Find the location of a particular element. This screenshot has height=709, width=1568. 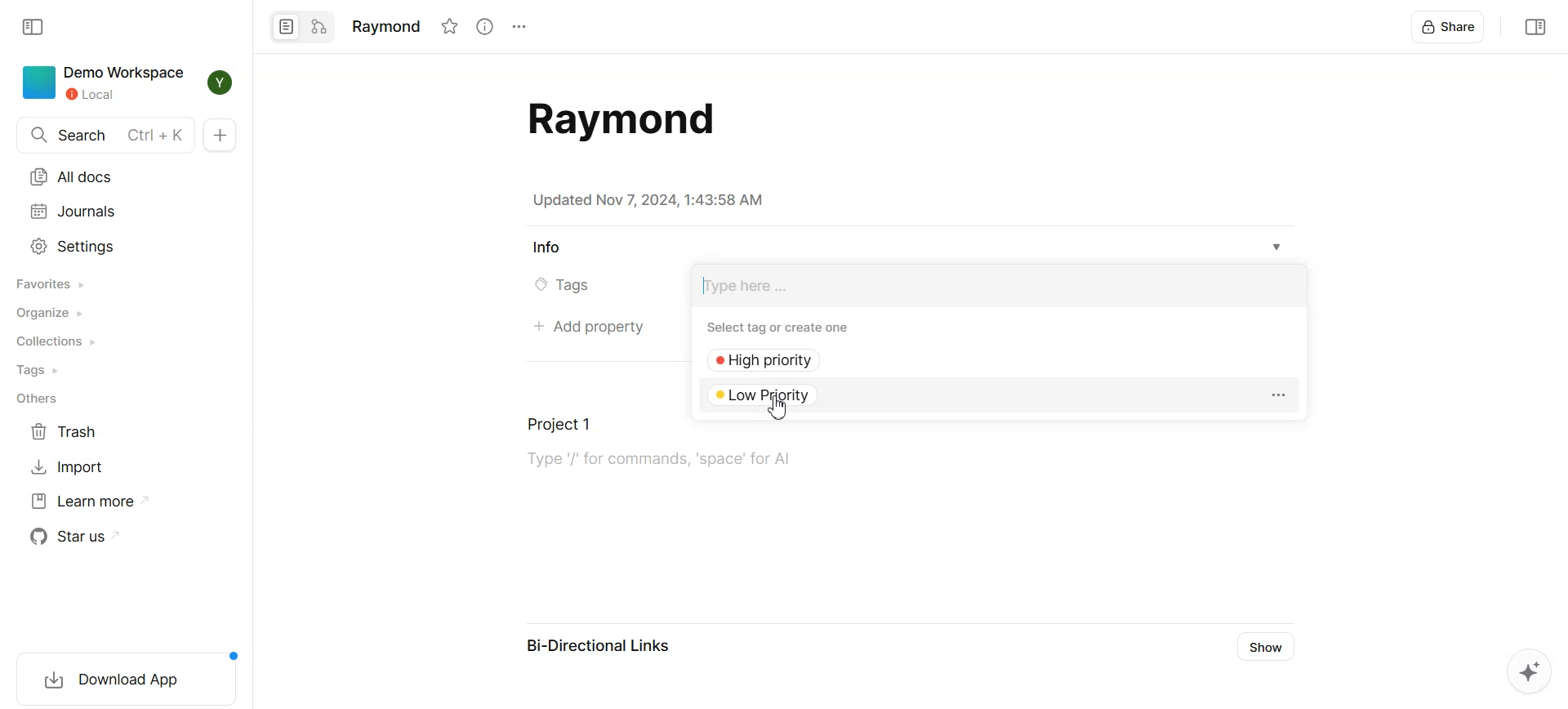

Settings is located at coordinates (518, 27).